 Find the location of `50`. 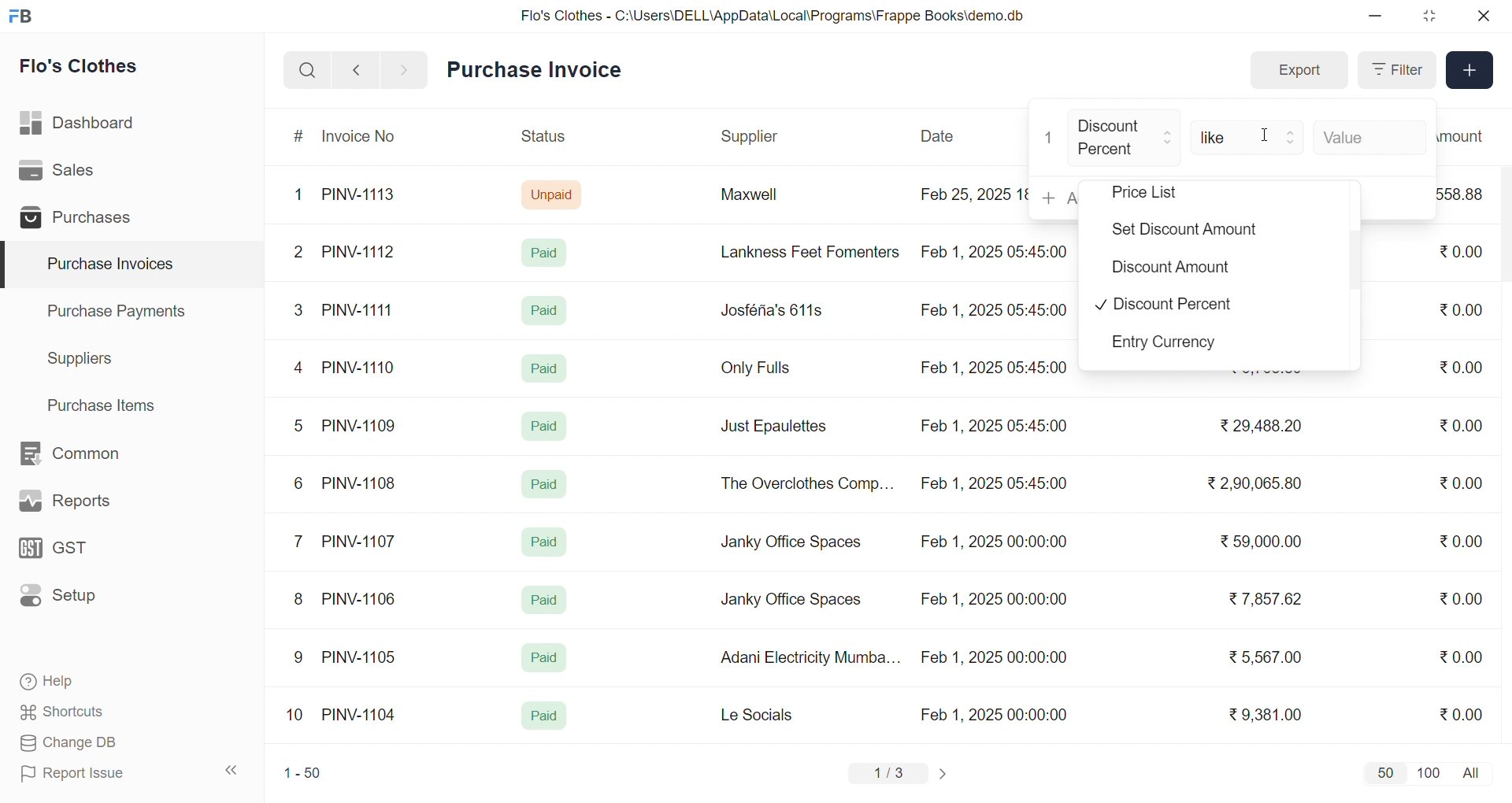

50 is located at coordinates (1384, 772).